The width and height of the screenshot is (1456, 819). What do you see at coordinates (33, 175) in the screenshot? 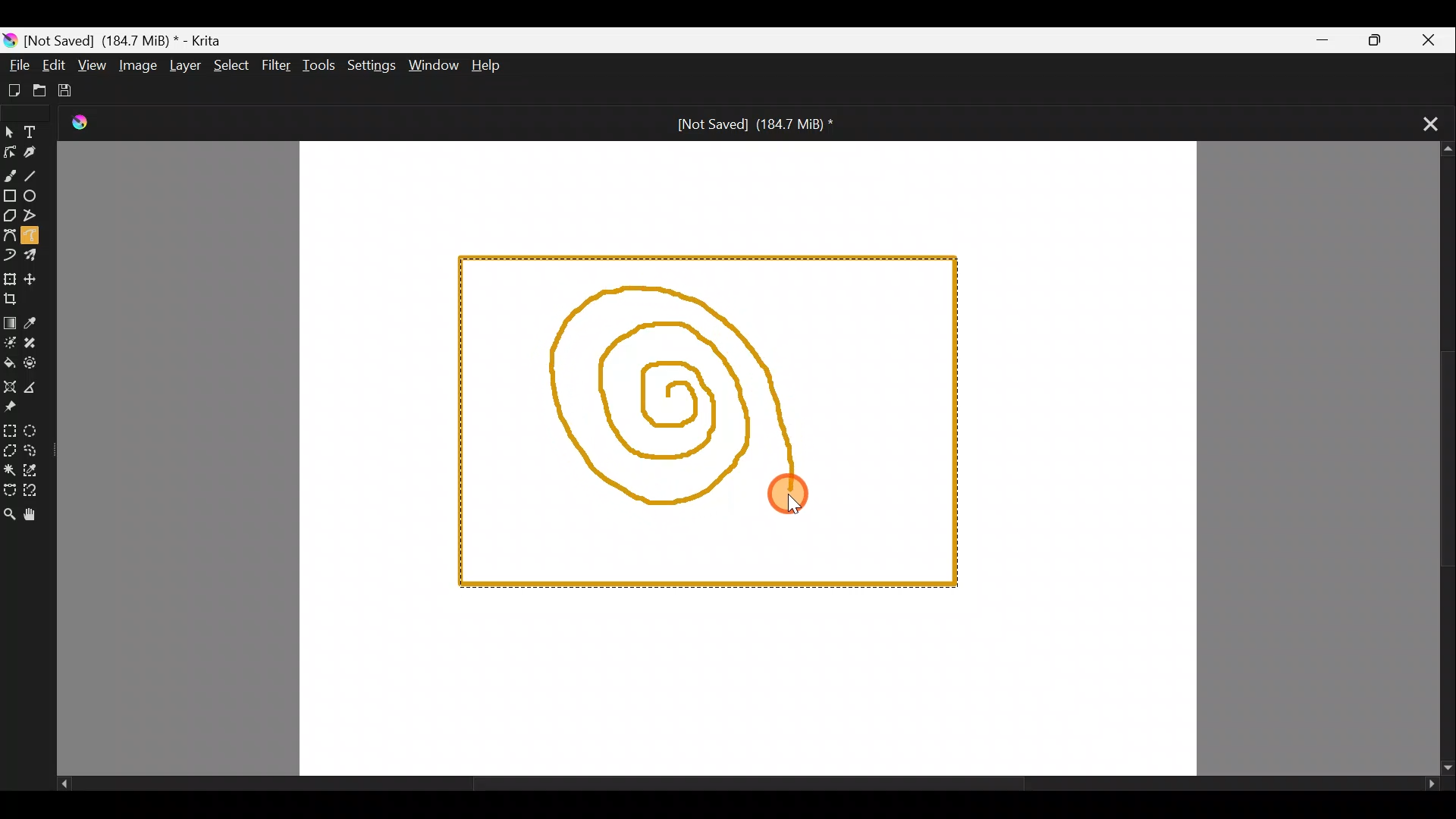
I see `Line tool` at bounding box center [33, 175].